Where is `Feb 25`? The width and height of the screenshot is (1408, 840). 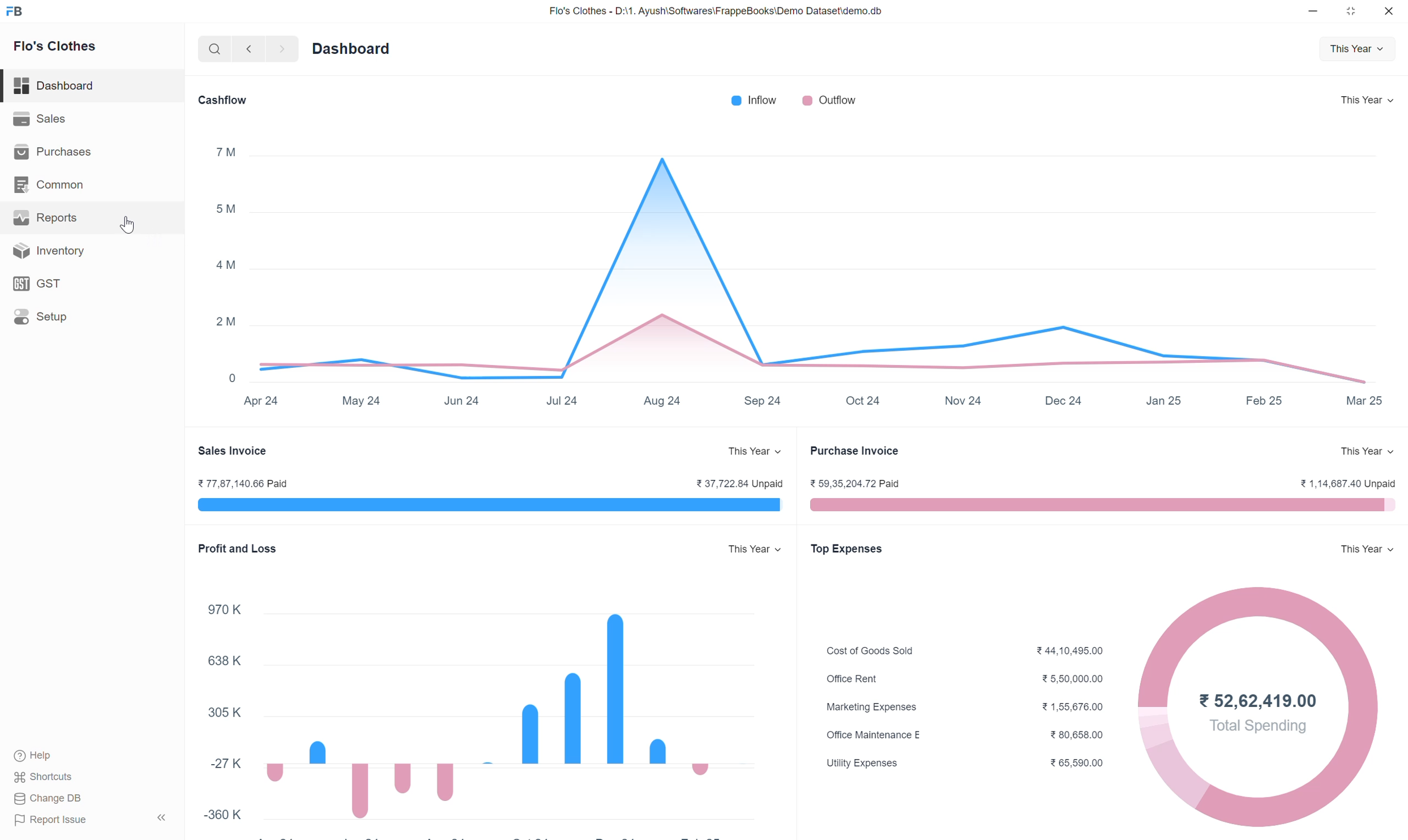 Feb 25 is located at coordinates (1261, 402).